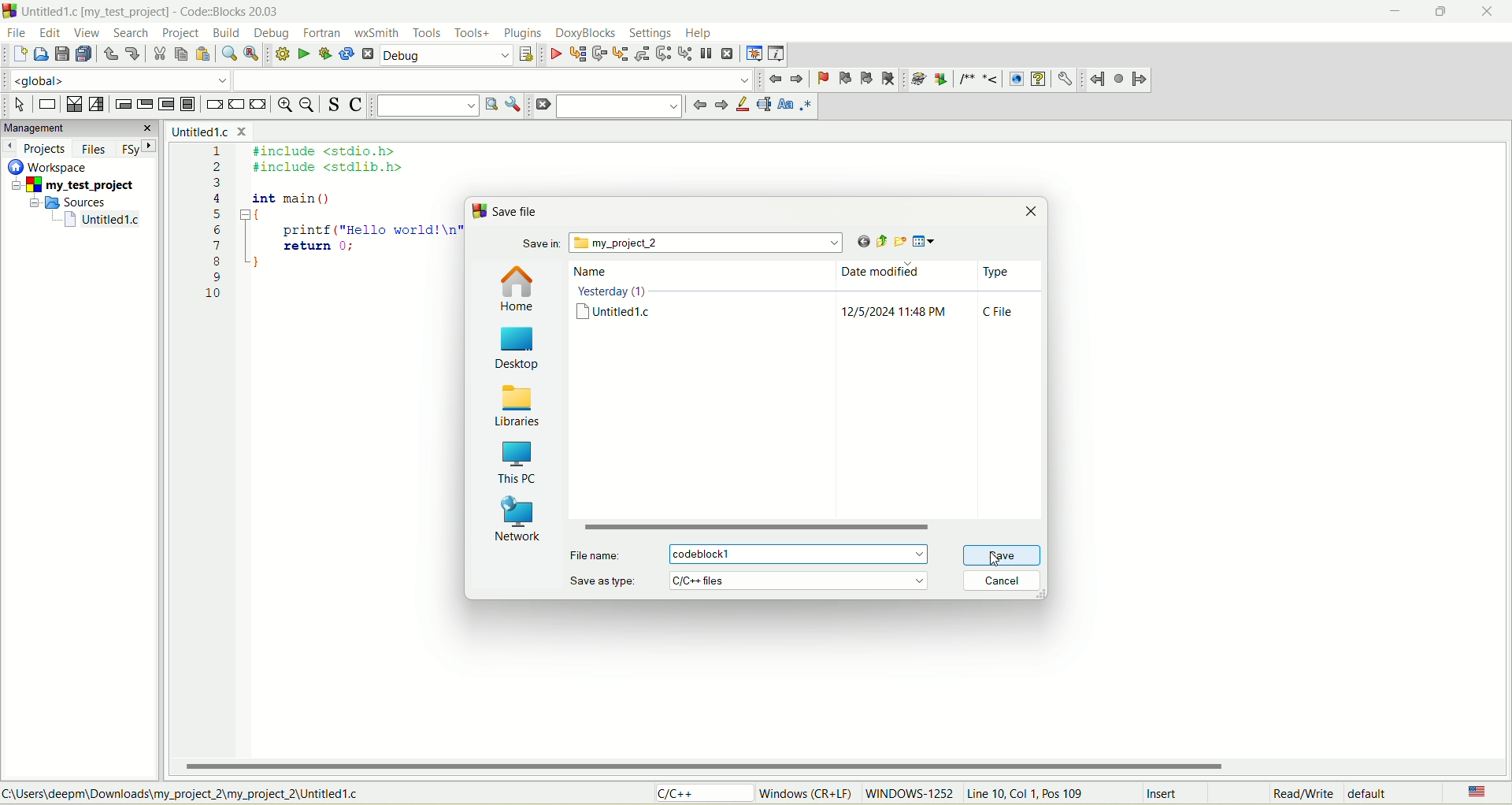 This screenshot has height=805, width=1512. Describe the element at coordinates (73, 202) in the screenshot. I see `sources` at that location.